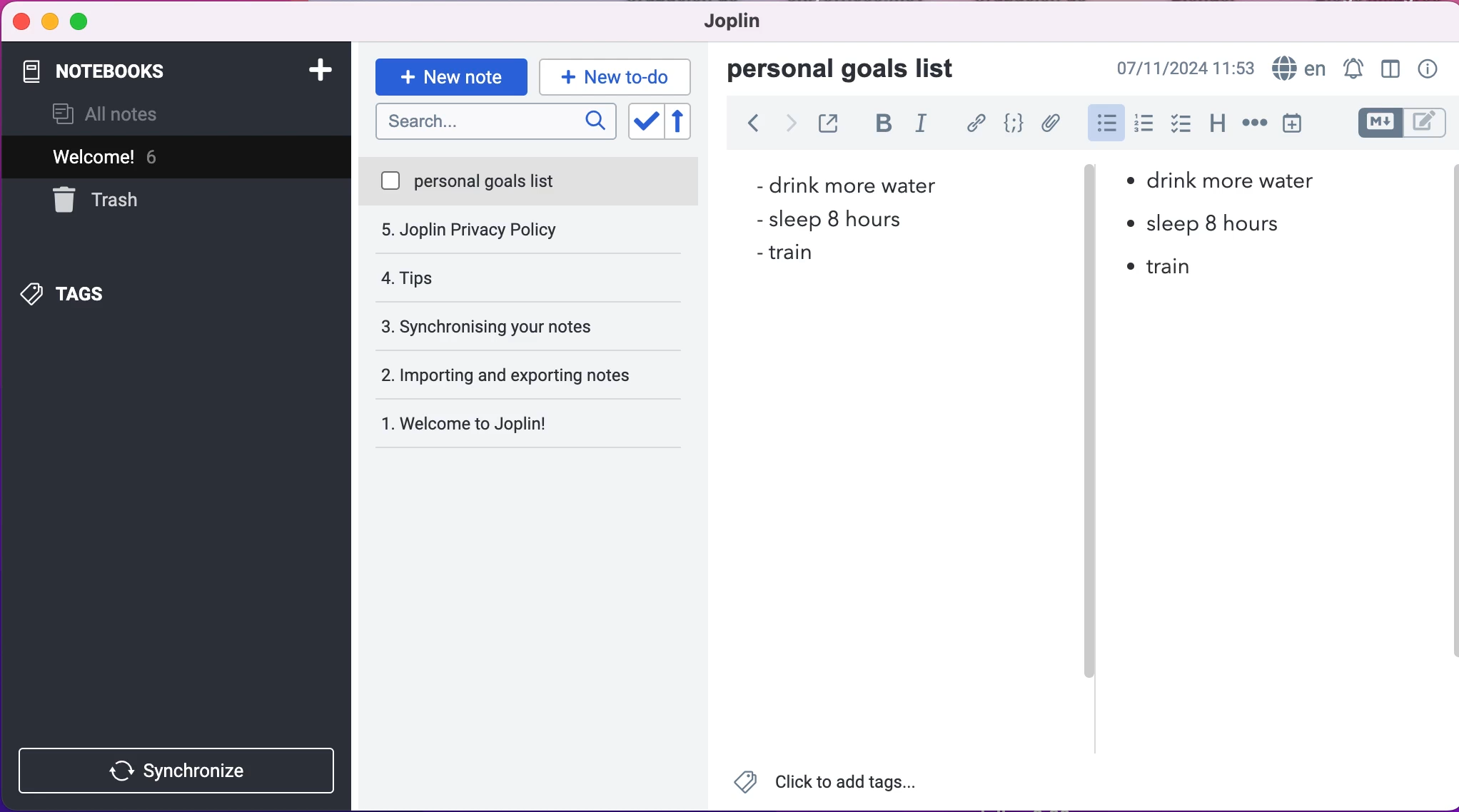  I want to click on new to-do, so click(620, 76).